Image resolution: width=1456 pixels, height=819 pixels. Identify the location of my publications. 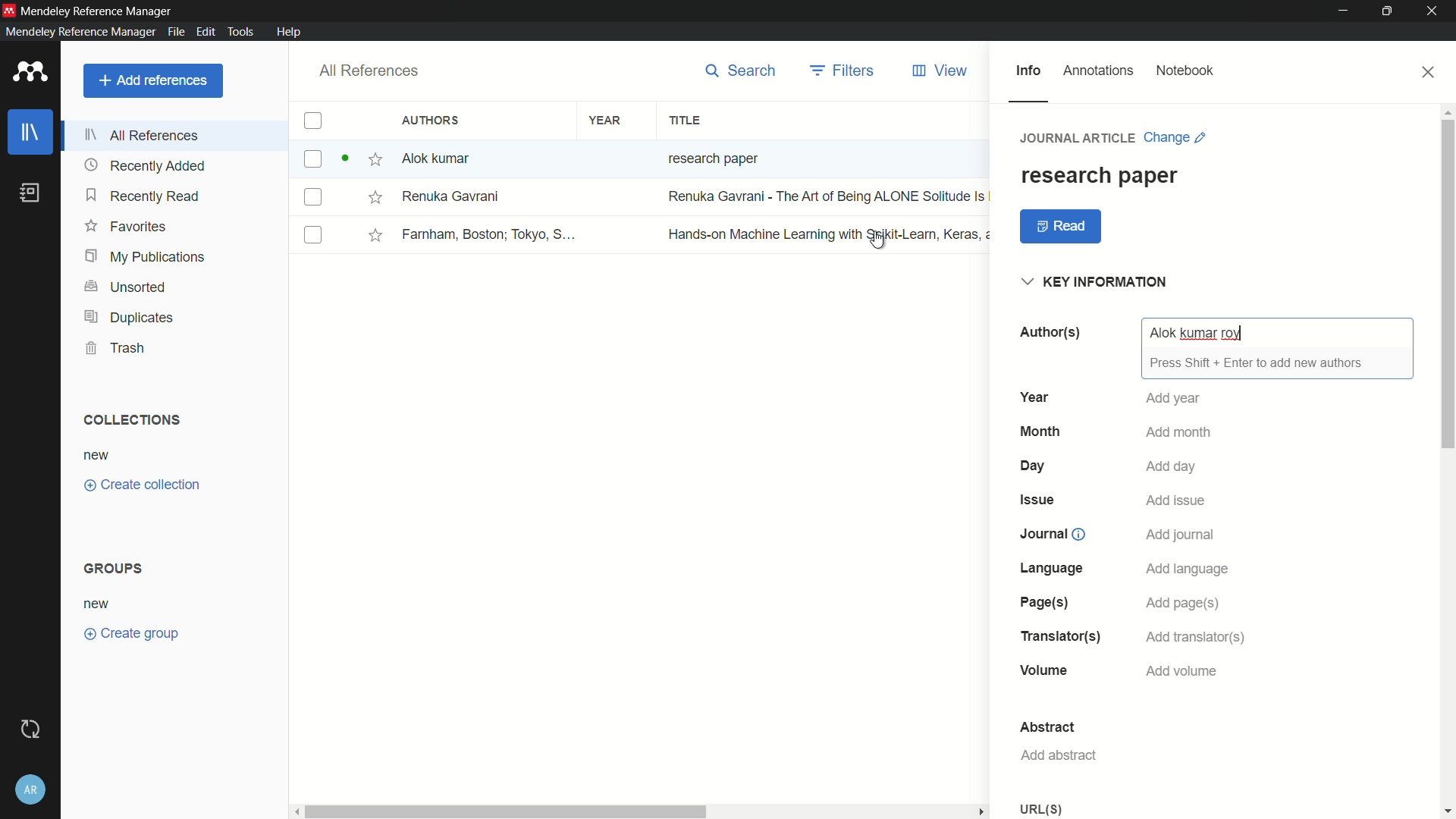
(146, 258).